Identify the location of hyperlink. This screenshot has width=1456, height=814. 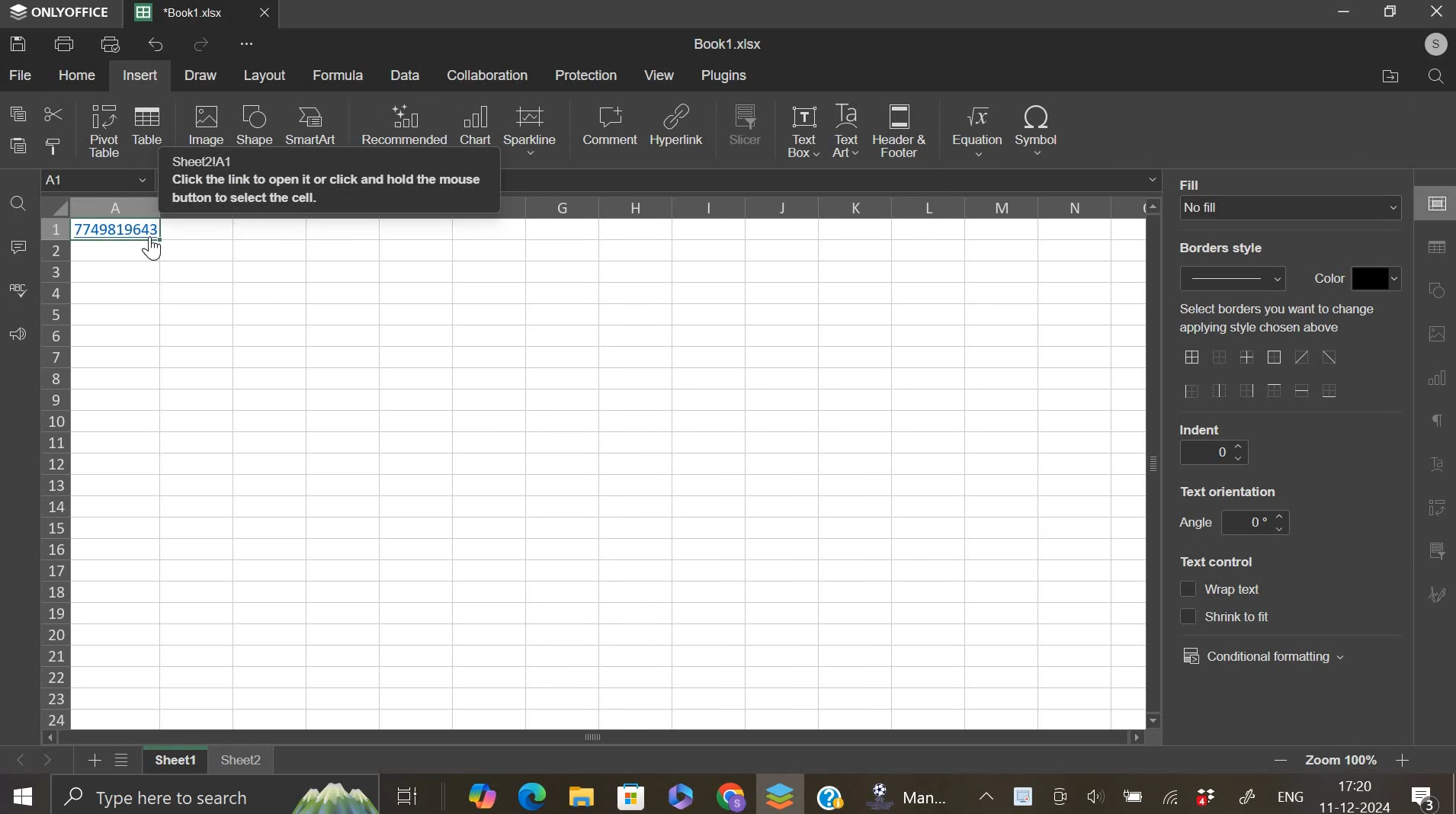
(678, 130).